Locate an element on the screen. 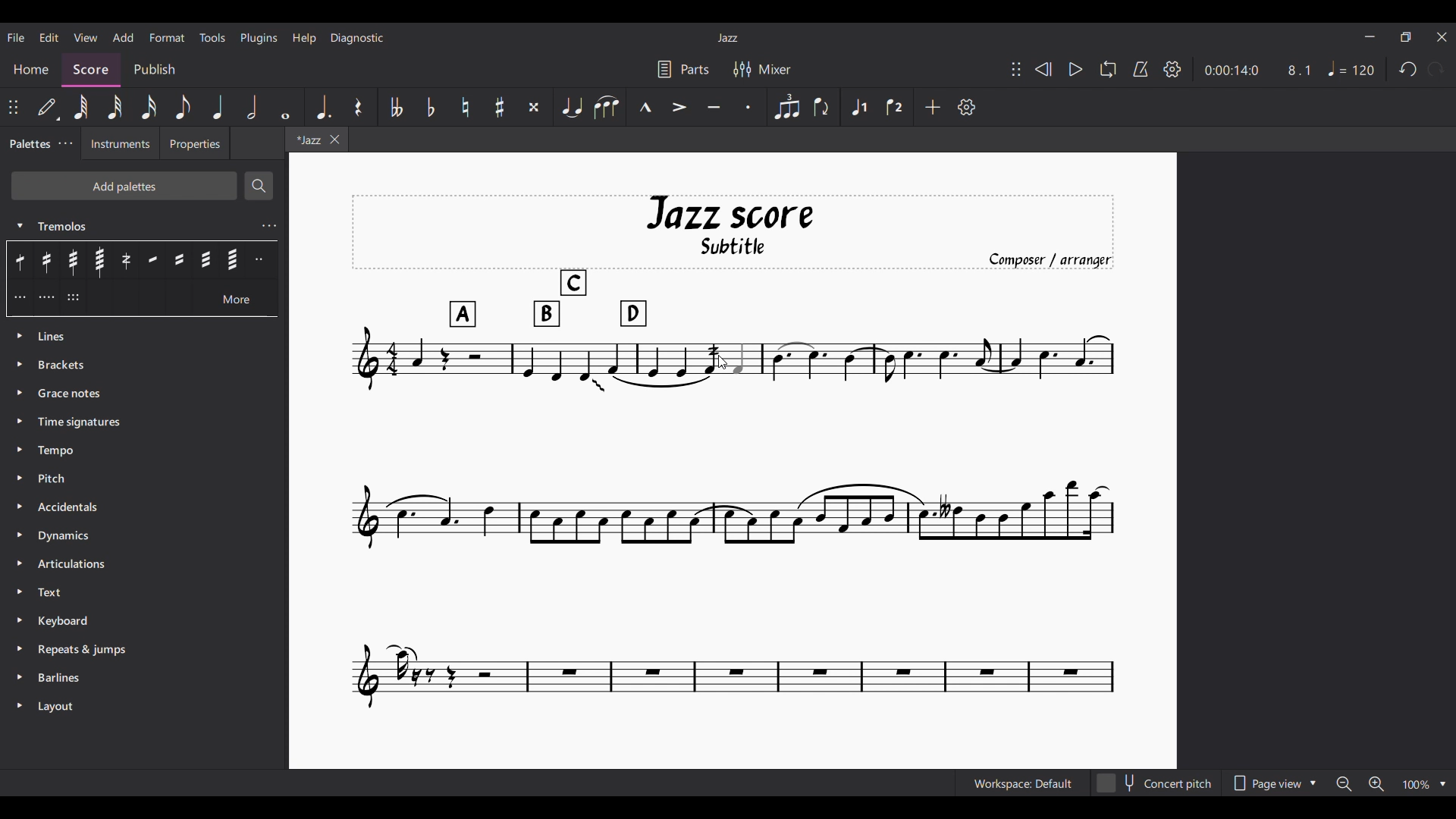 This screenshot has width=1456, height=819. Augmentation dot is located at coordinates (322, 107).